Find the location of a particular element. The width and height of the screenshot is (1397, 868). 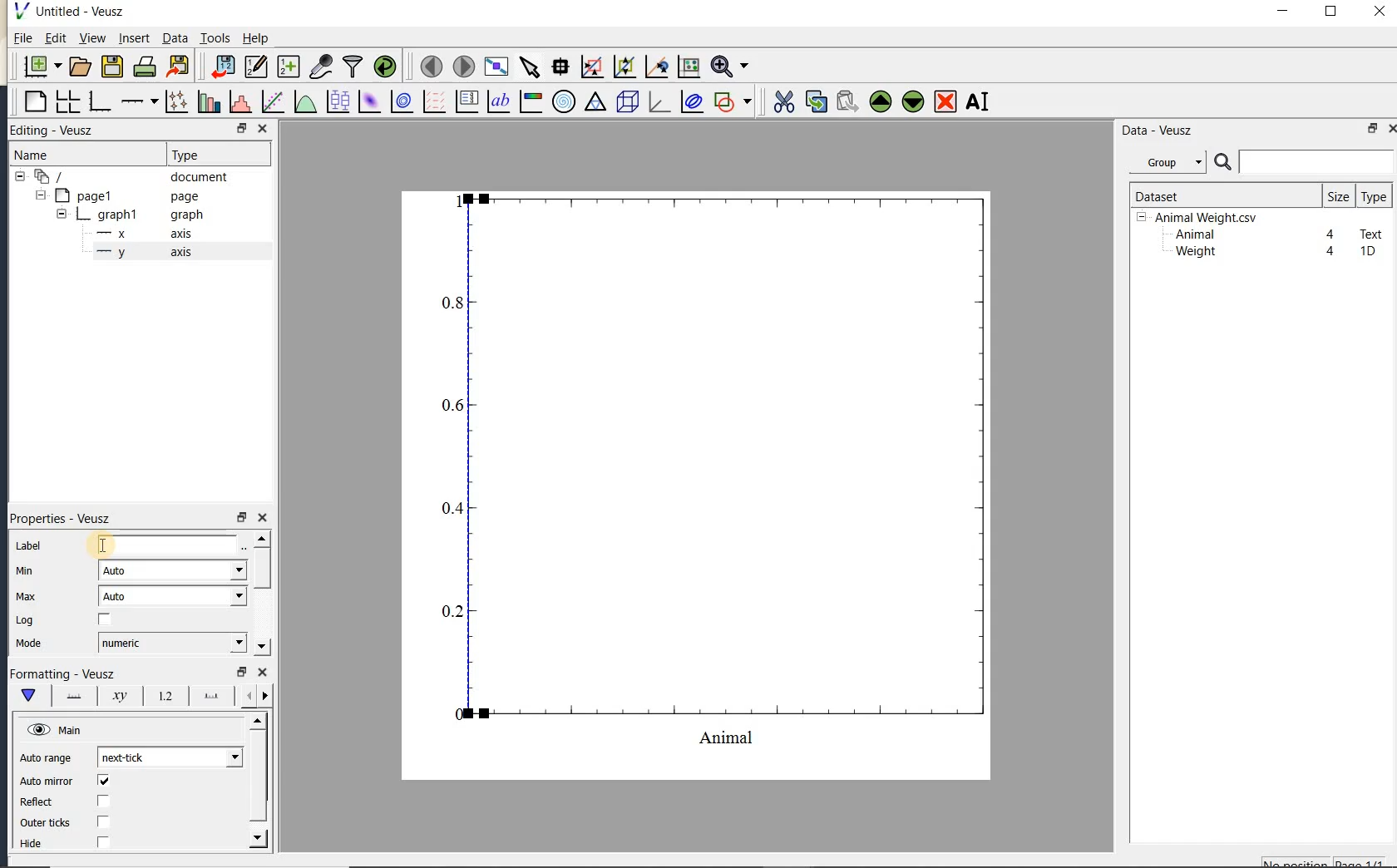

type is located at coordinates (1373, 196).